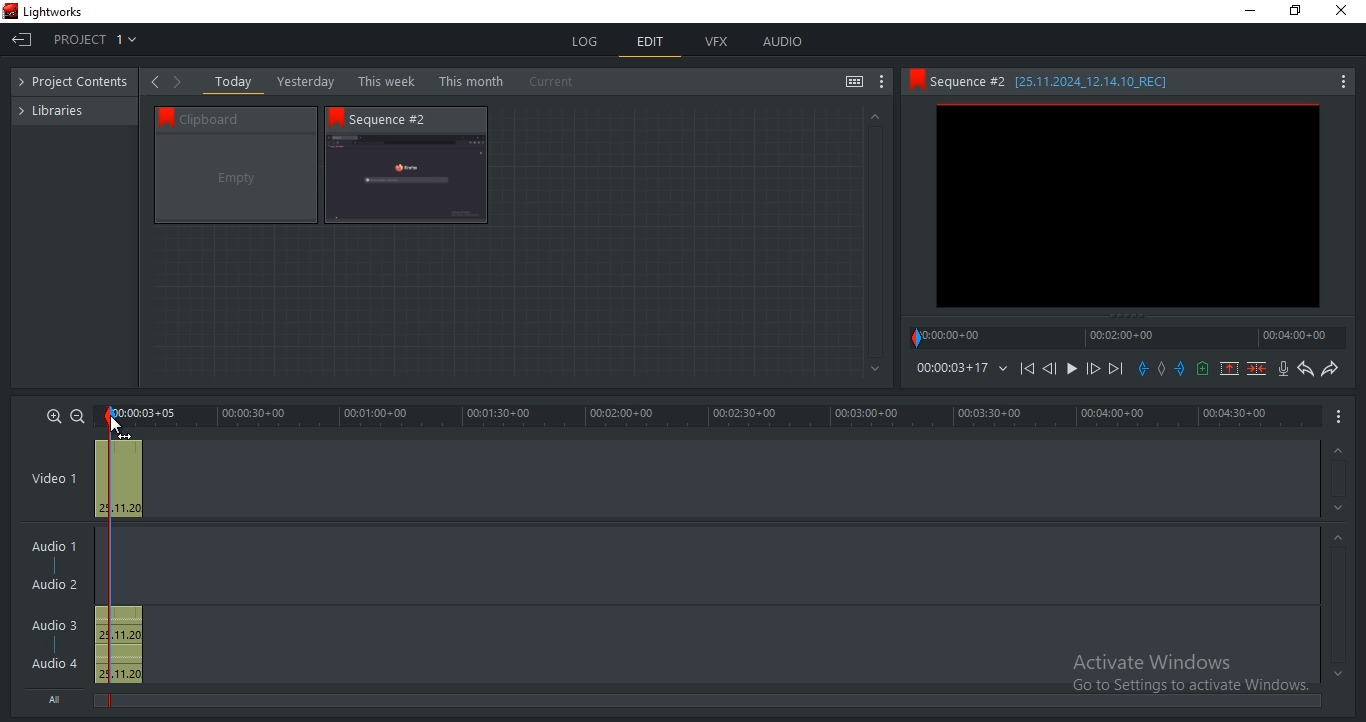  I want to click on project, so click(79, 83).